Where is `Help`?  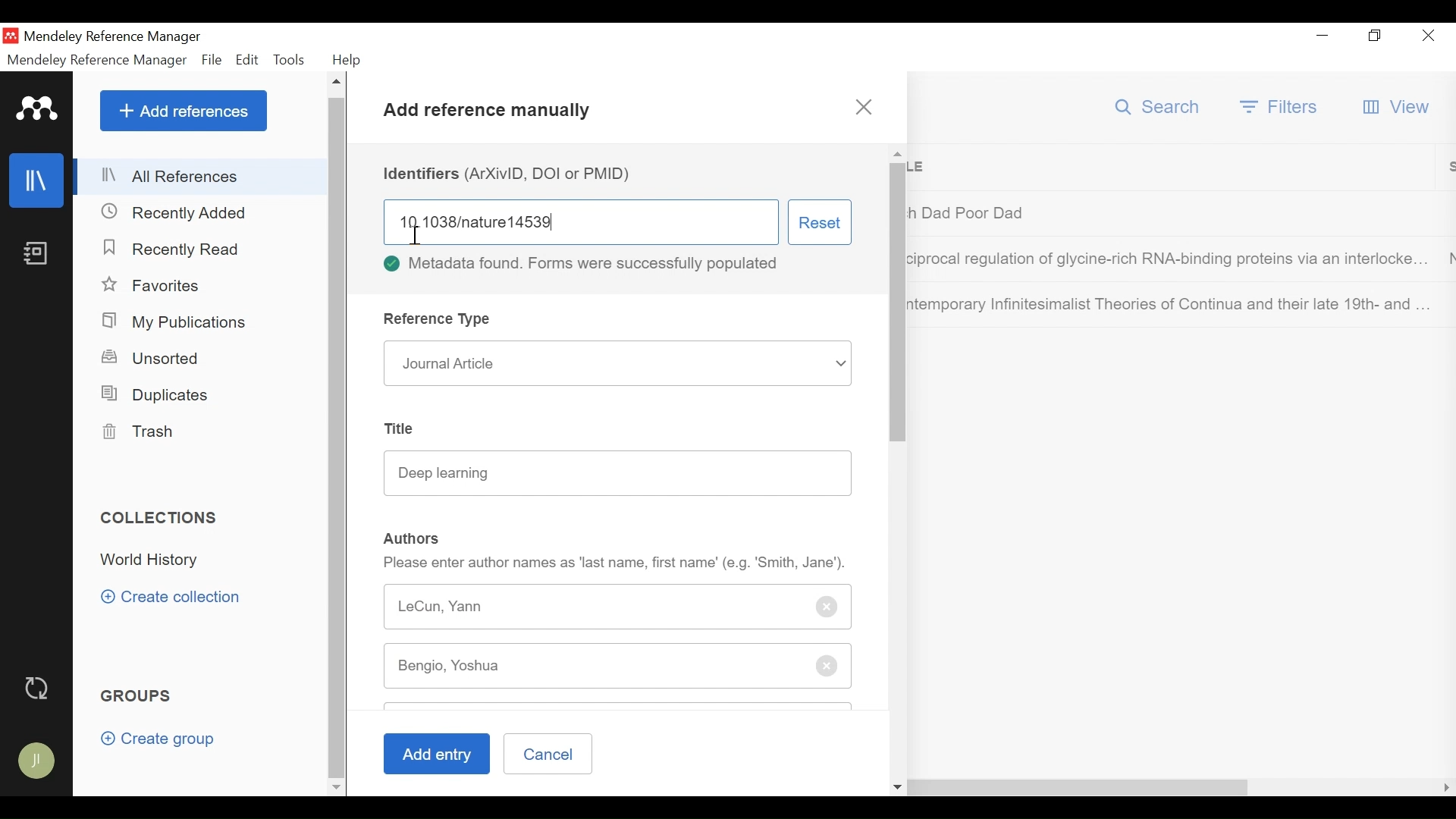 Help is located at coordinates (351, 60).